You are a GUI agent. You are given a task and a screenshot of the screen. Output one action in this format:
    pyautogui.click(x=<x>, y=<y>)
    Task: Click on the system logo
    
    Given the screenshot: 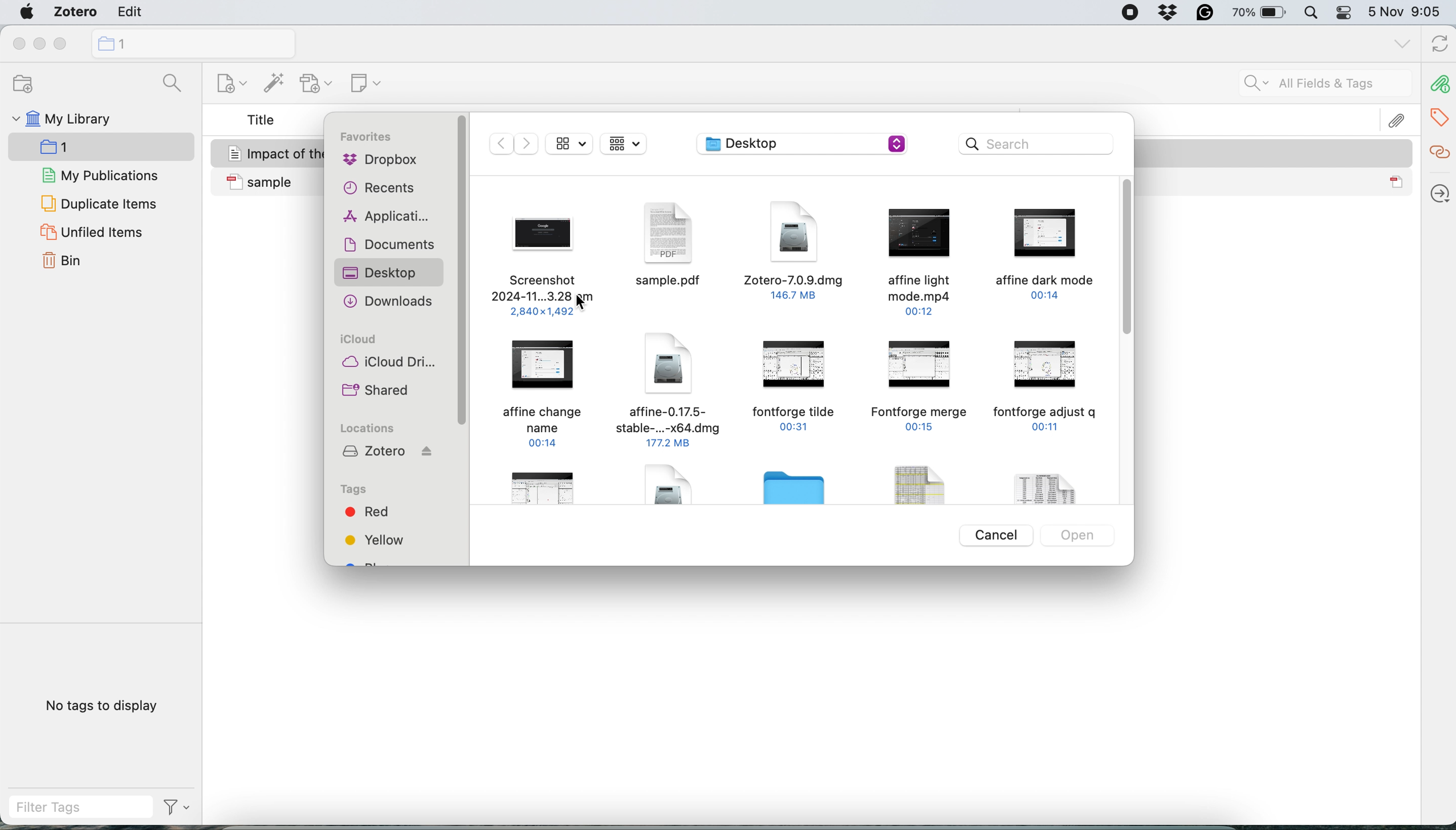 What is the action you would take?
    pyautogui.click(x=27, y=12)
    